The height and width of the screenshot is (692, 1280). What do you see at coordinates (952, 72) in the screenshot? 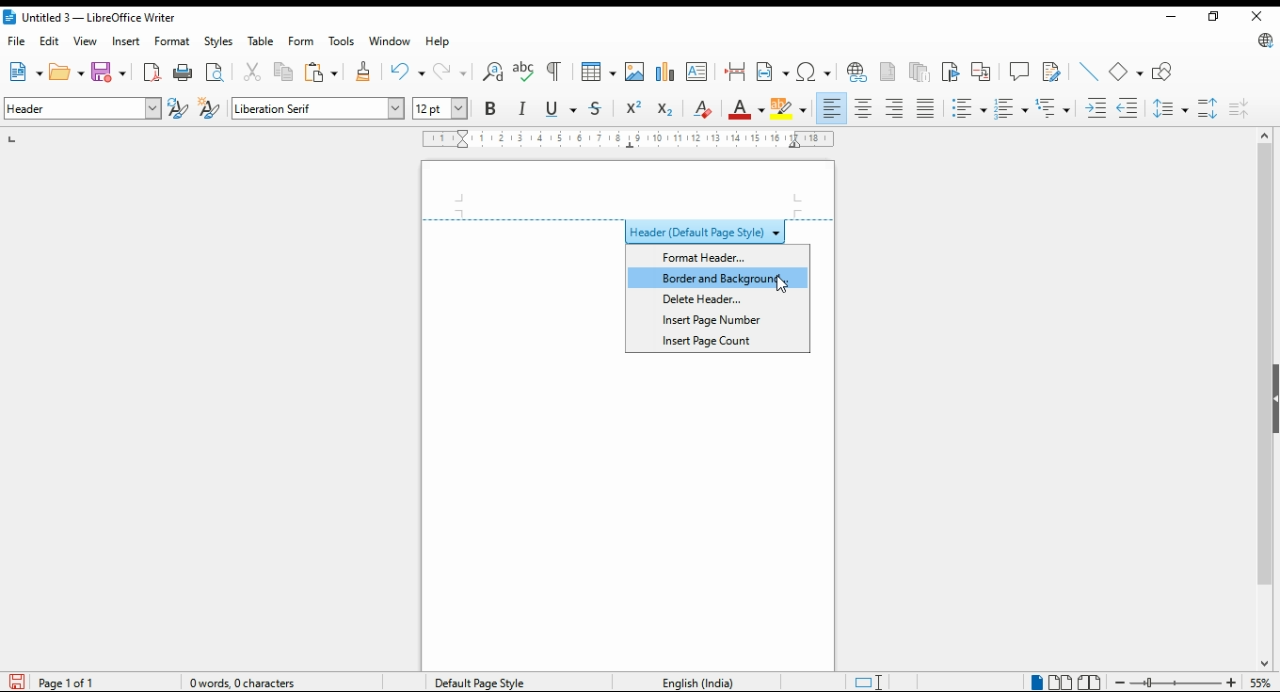
I see `insert bookmark` at bounding box center [952, 72].